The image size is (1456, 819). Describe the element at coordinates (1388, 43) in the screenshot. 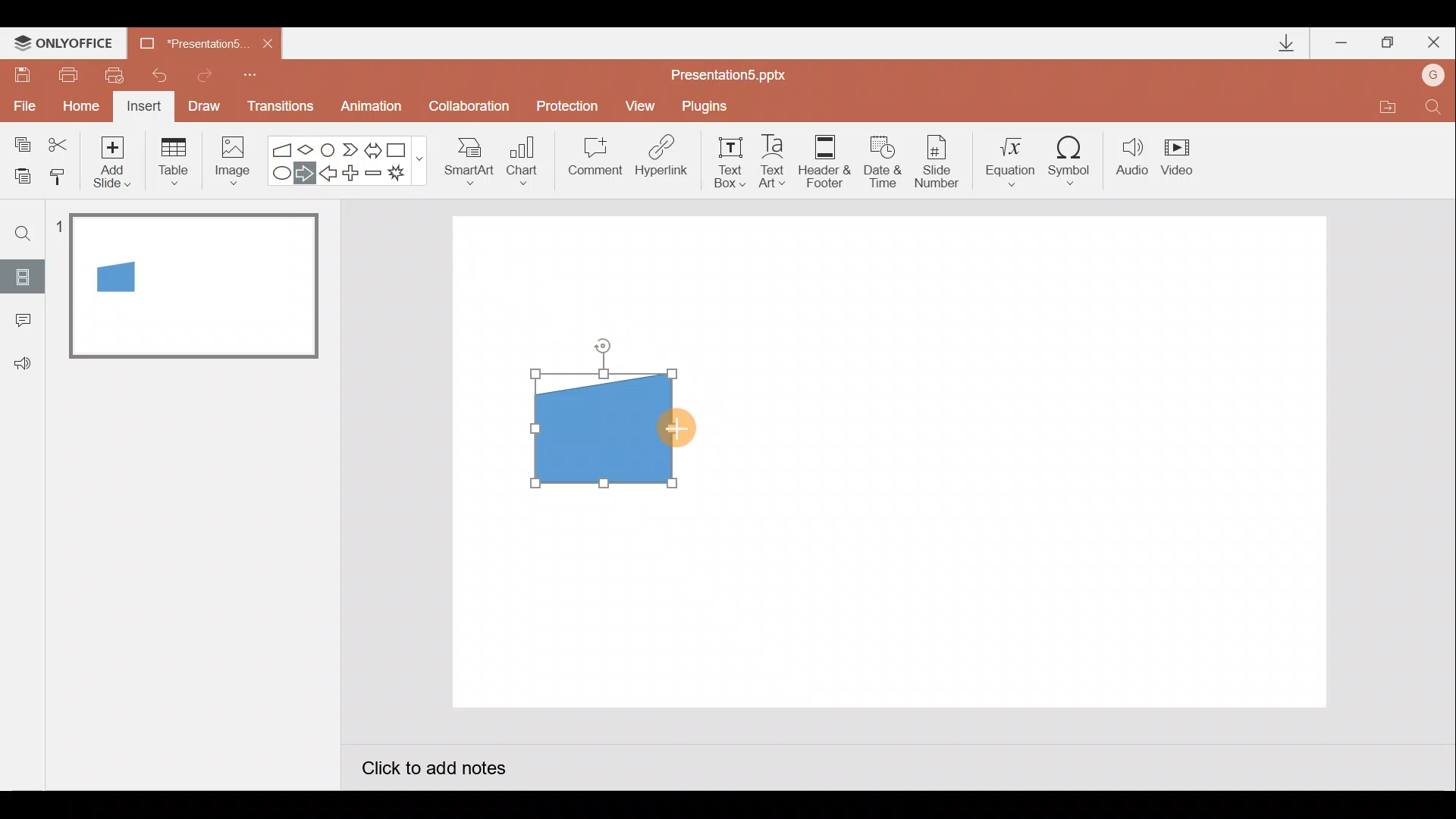

I see `Maximize` at that location.